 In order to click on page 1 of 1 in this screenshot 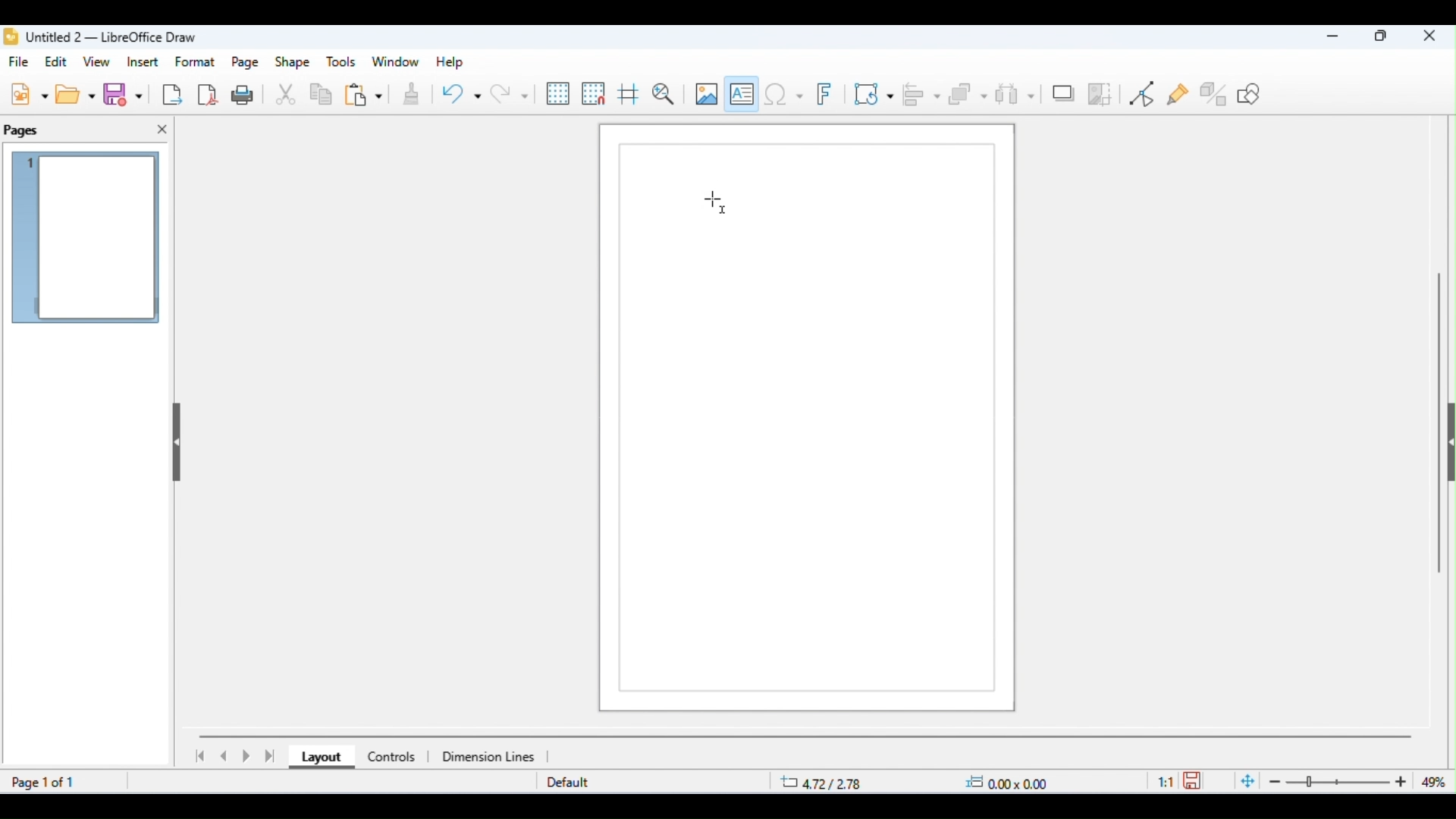, I will do `click(45, 782)`.